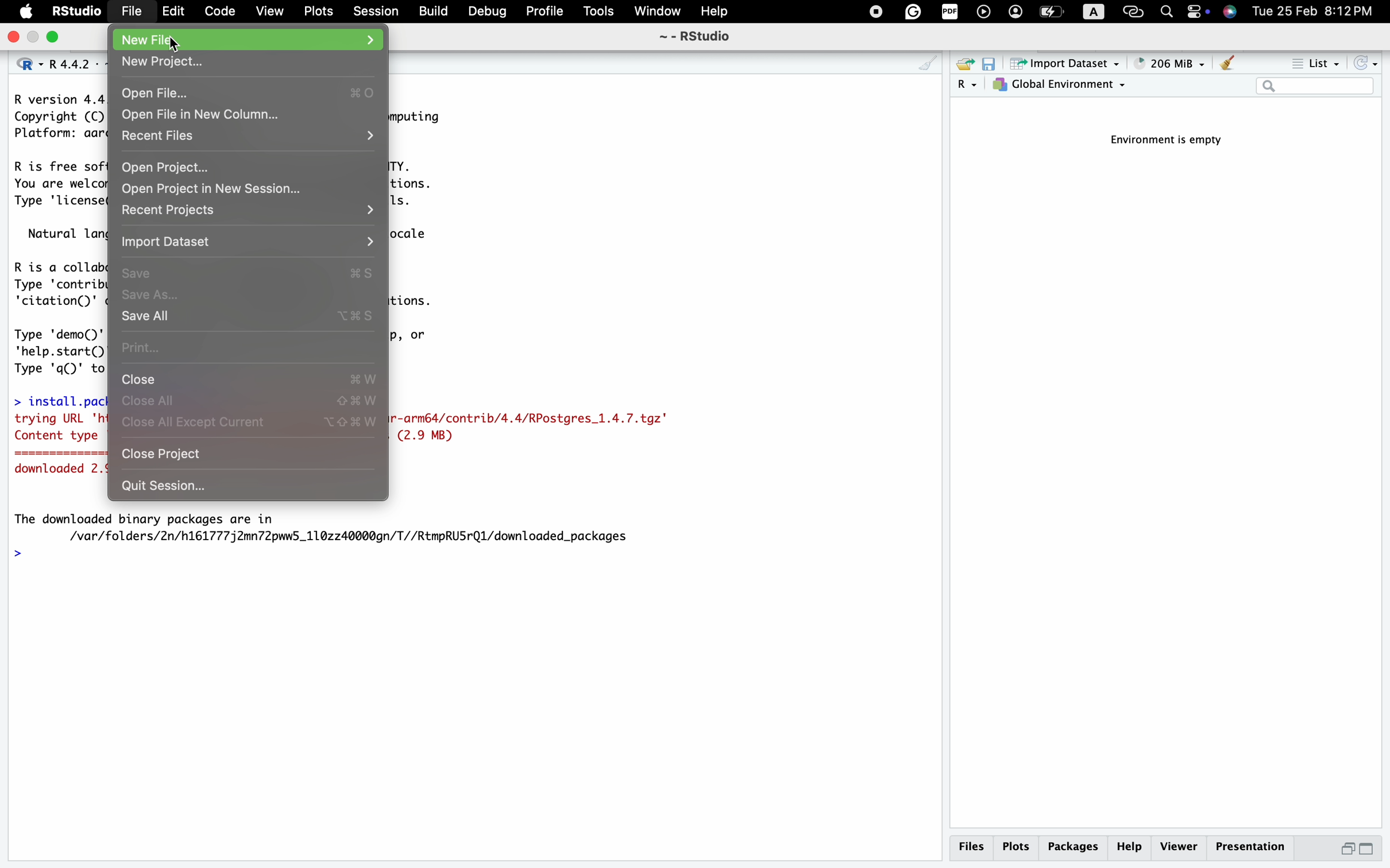 Image resolution: width=1390 pixels, height=868 pixels. Describe the element at coordinates (218, 12) in the screenshot. I see `code` at that location.